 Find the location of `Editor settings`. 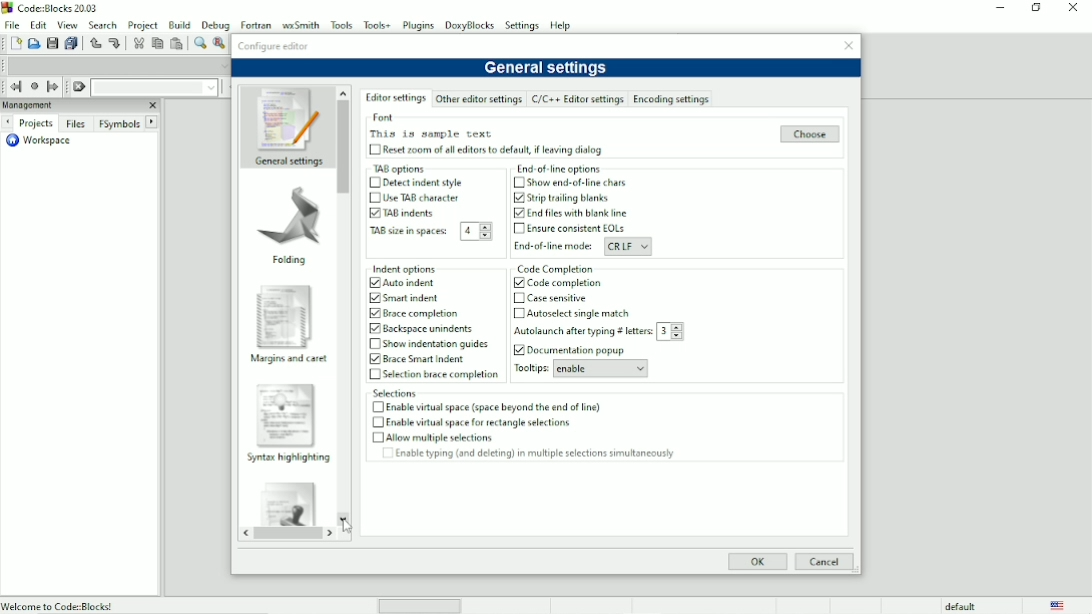

Editor settings is located at coordinates (396, 99).